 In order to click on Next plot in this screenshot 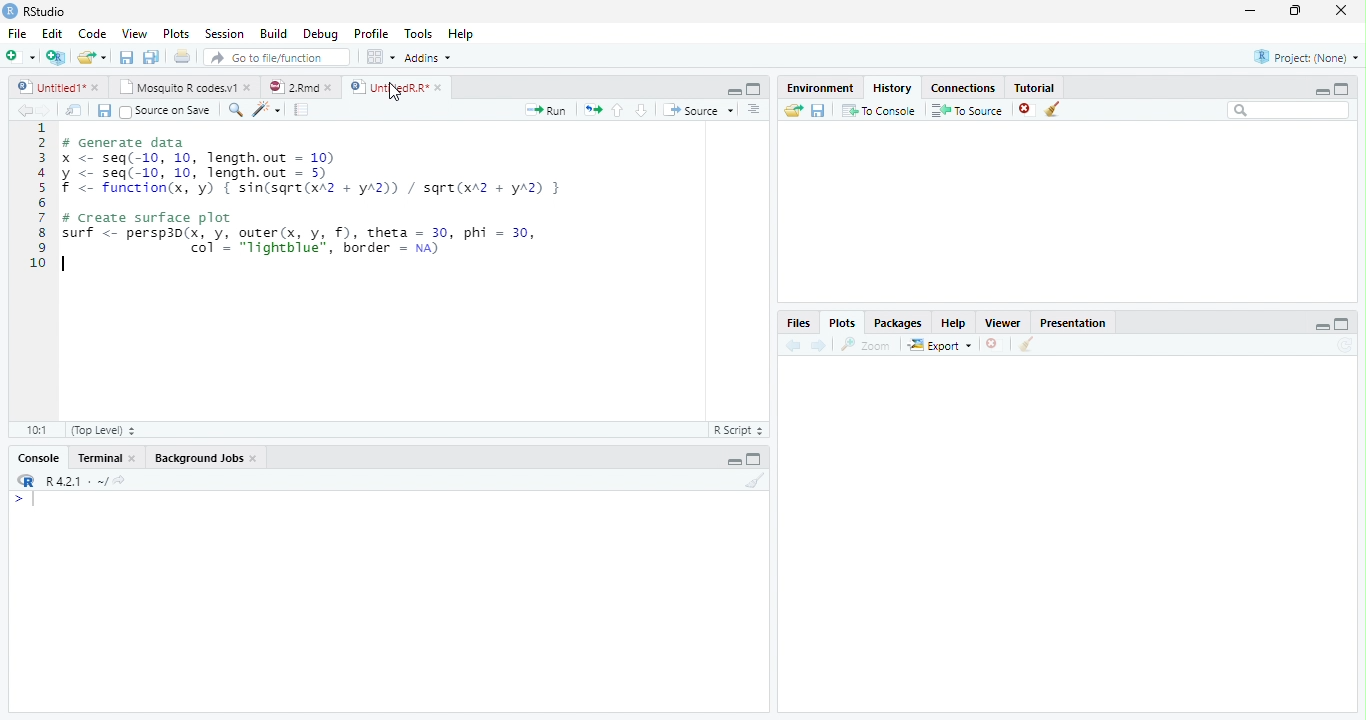, I will do `click(819, 345)`.